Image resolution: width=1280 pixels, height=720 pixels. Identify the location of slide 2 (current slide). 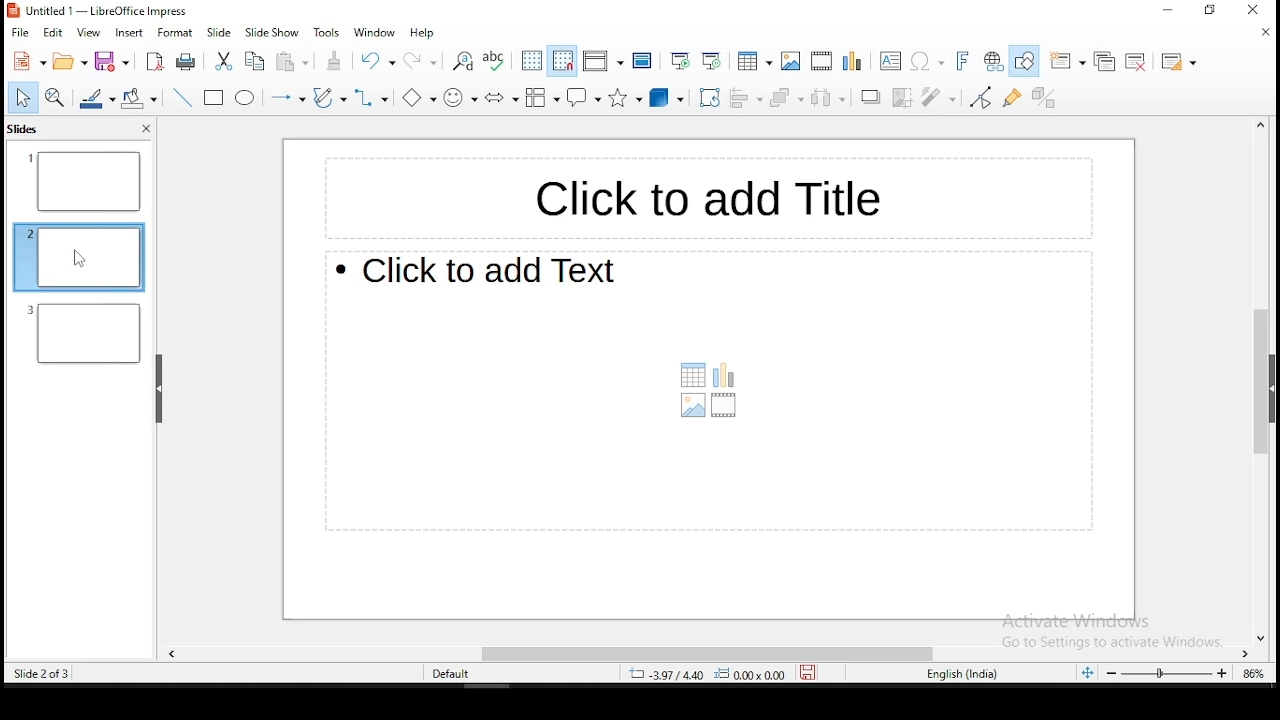
(79, 255).